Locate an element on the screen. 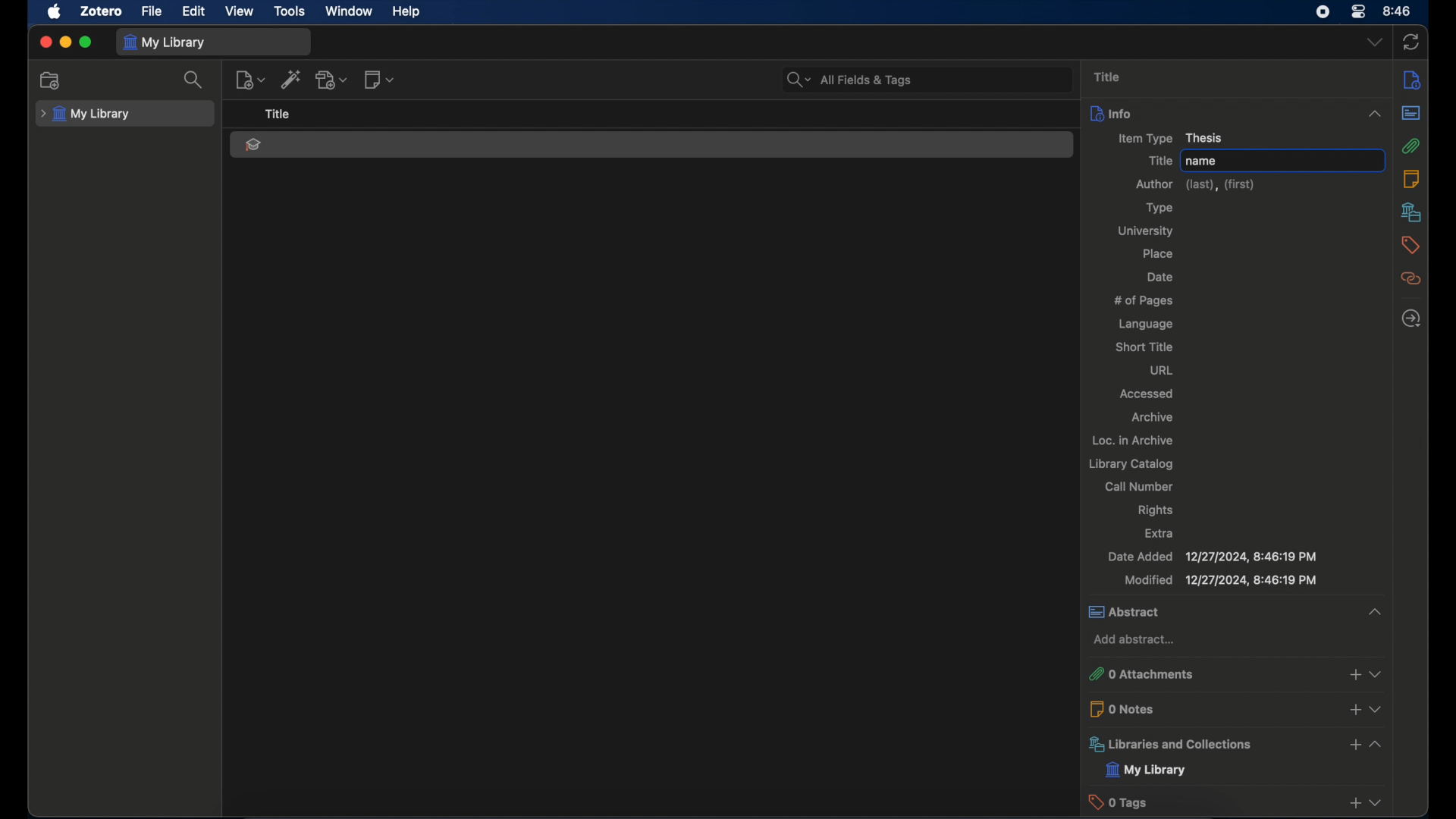 The height and width of the screenshot is (819, 1456). accessed is located at coordinates (1145, 394).